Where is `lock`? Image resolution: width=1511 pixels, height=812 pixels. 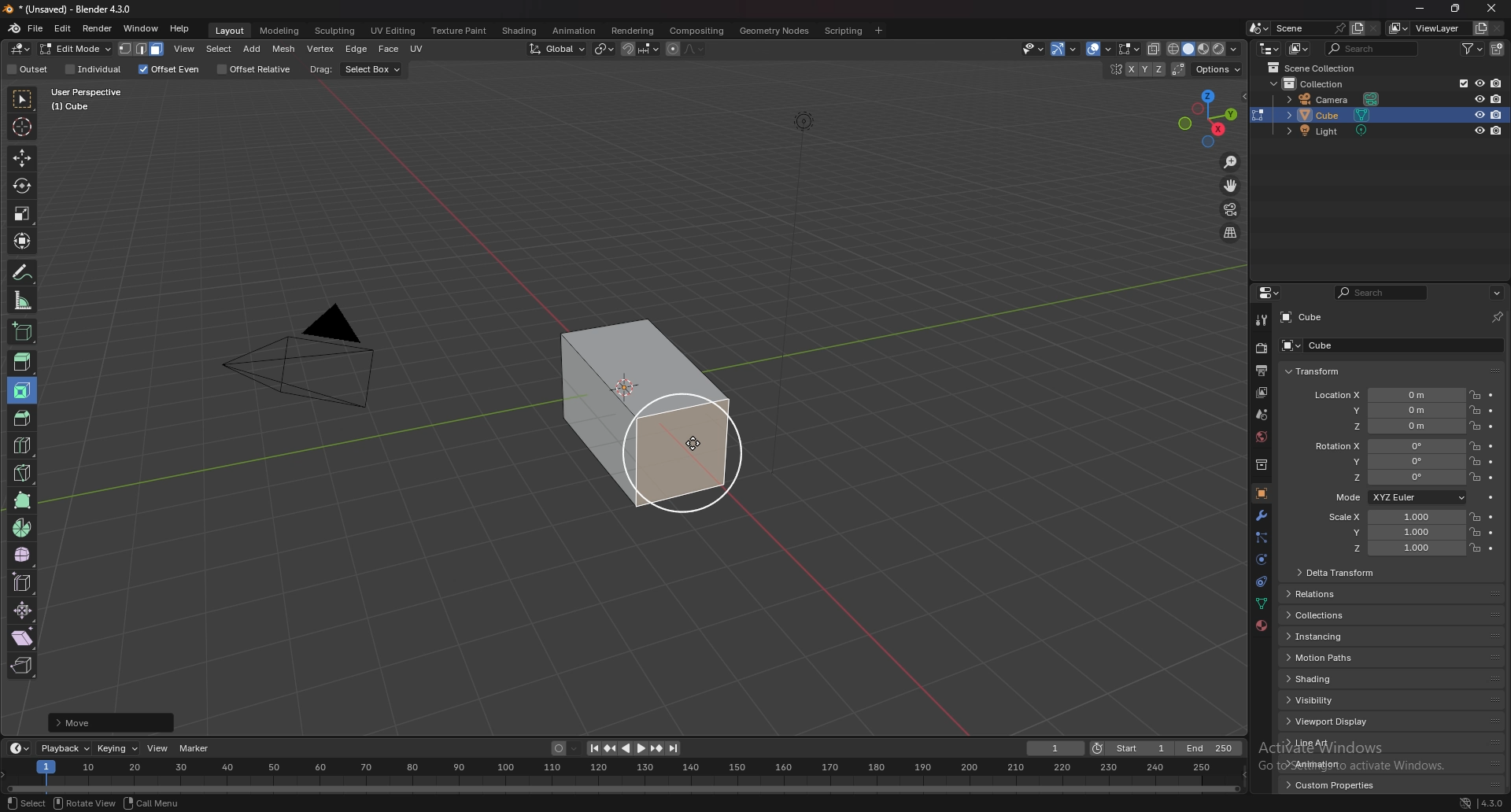
lock is located at coordinates (1475, 409).